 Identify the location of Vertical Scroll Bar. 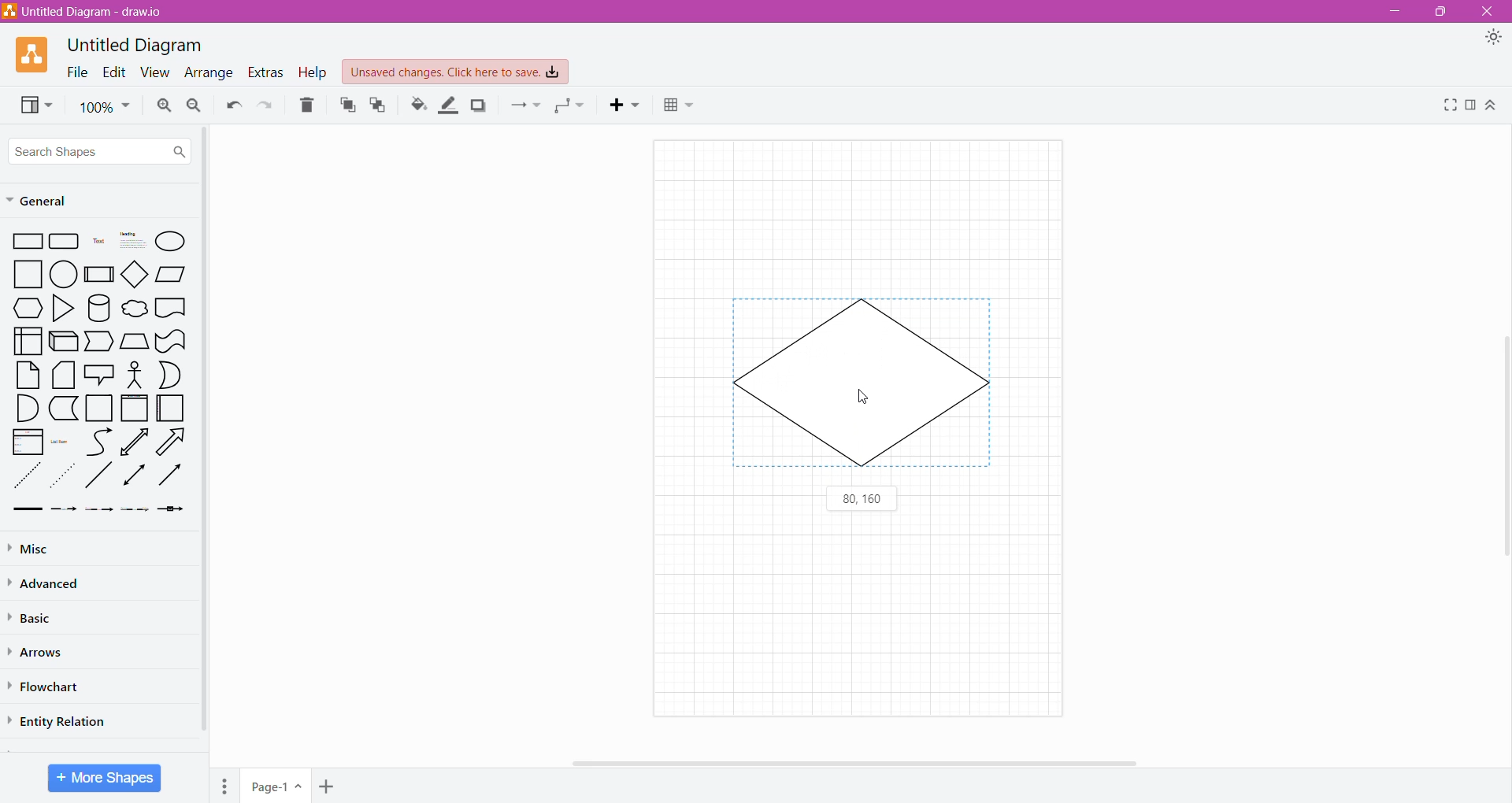
(204, 434).